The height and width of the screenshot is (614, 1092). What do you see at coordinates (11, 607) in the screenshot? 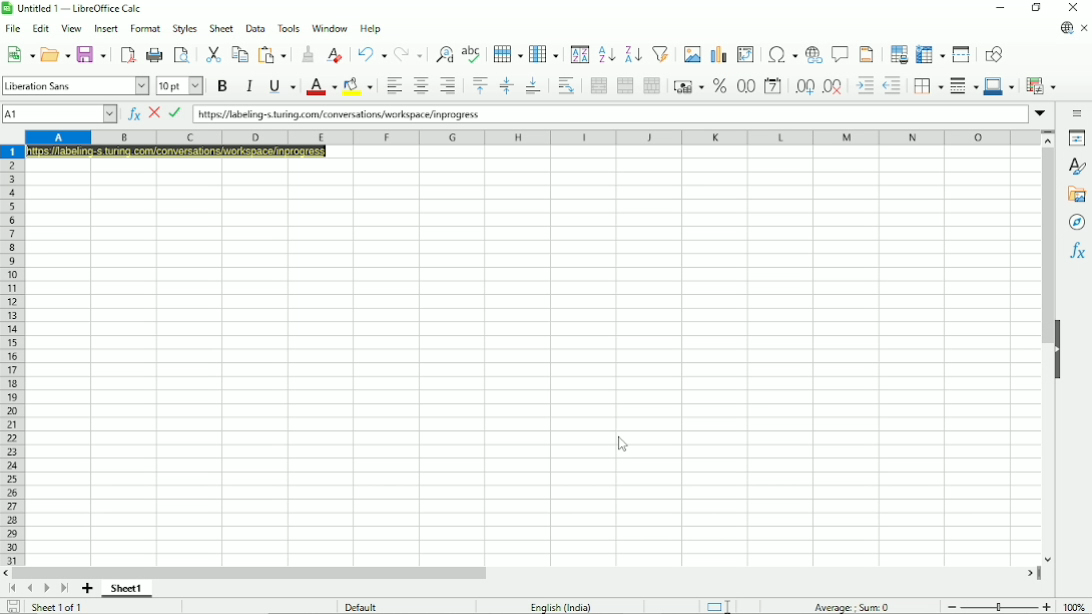
I see `Save` at bounding box center [11, 607].